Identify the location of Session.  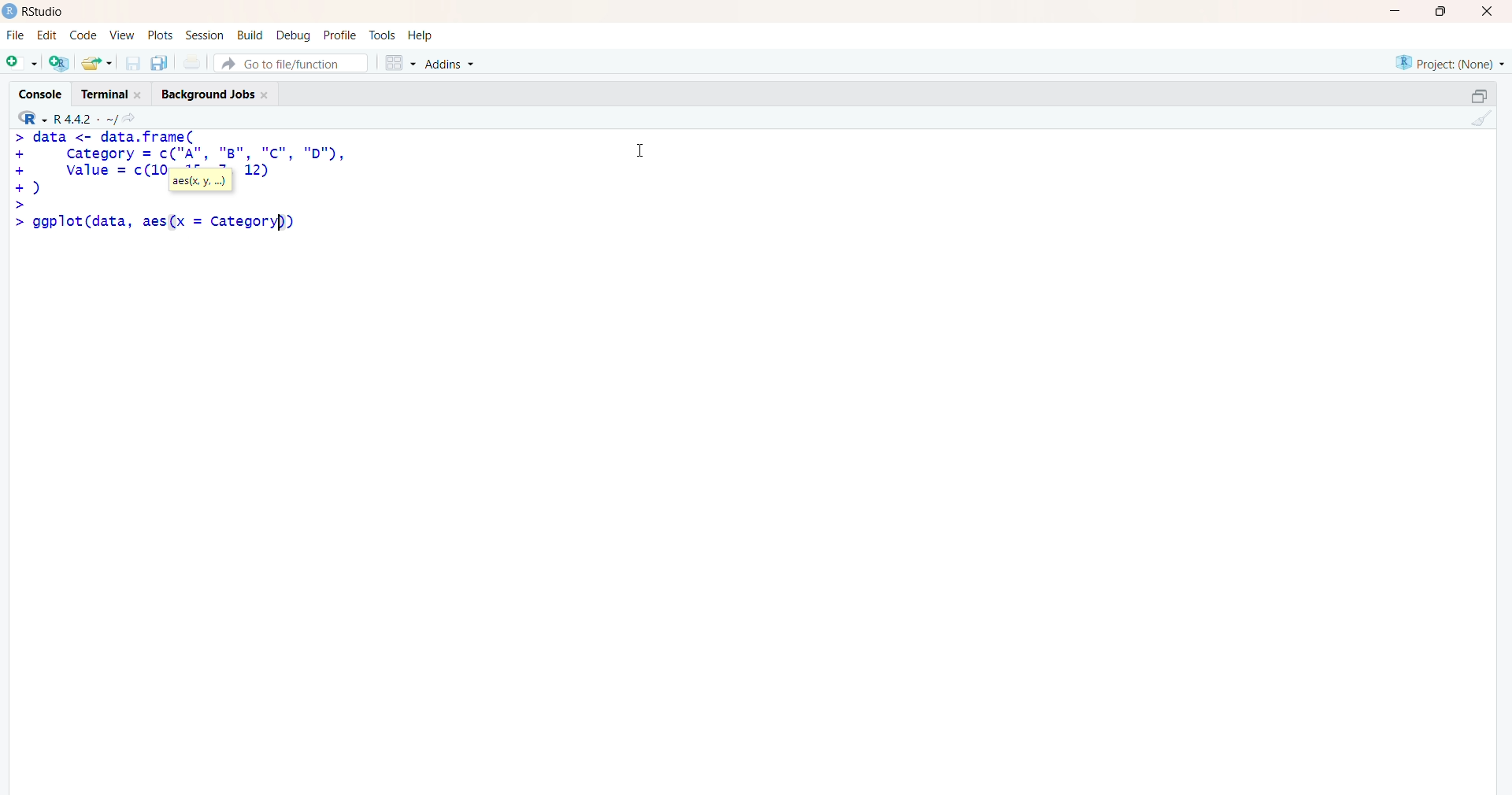
(205, 35).